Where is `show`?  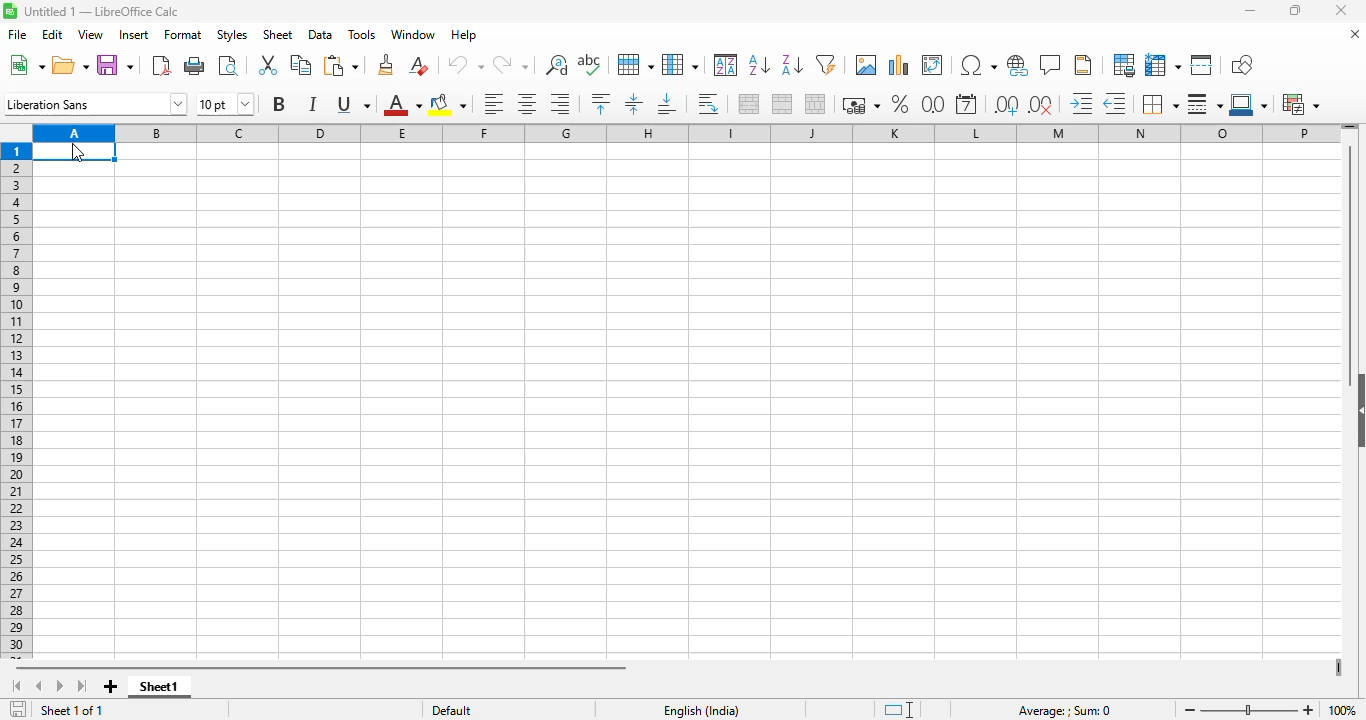
show is located at coordinates (1357, 410).